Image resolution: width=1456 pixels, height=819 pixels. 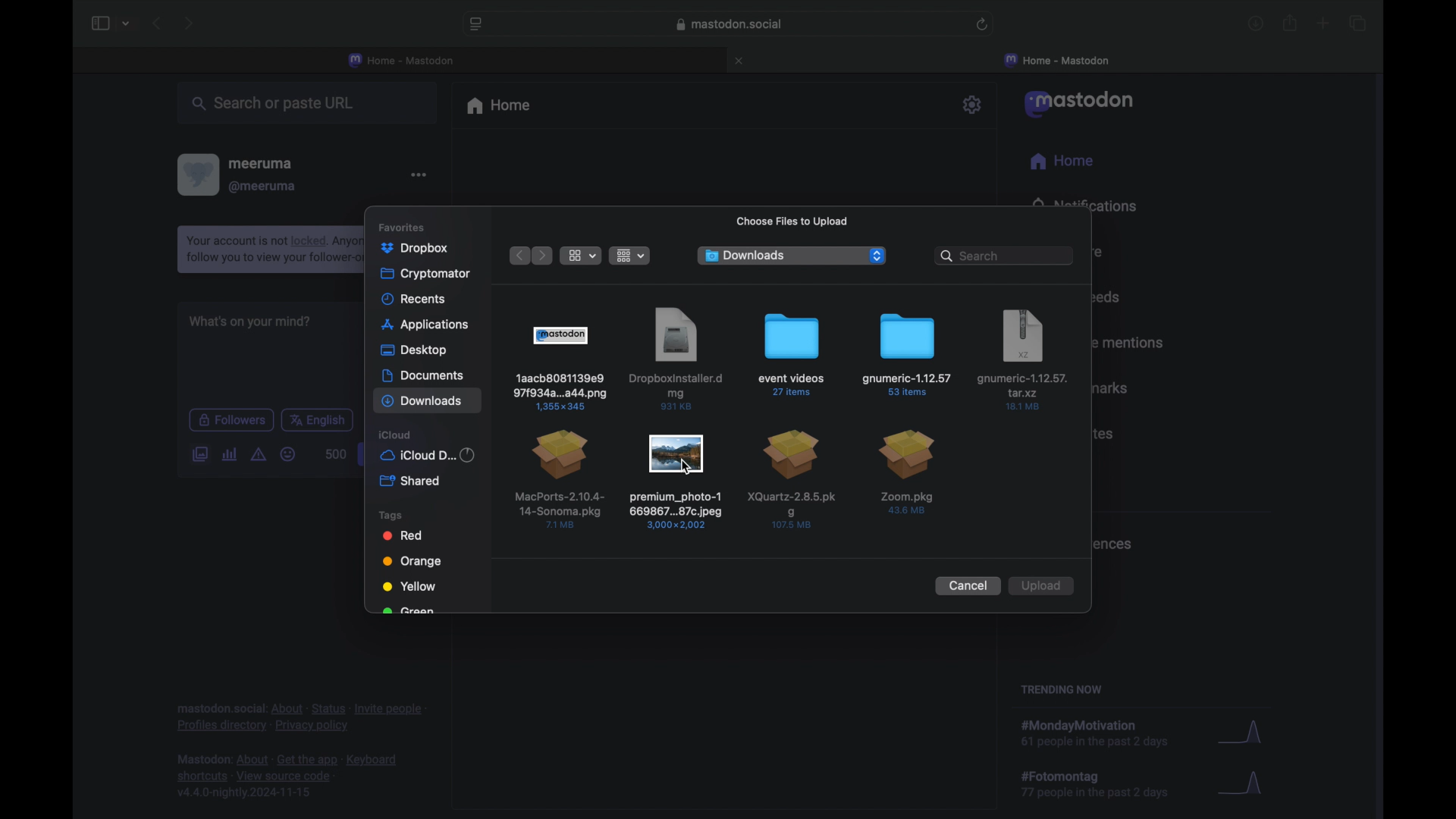 What do you see at coordinates (1106, 730) in the screenshot?
I see `hashtag trend` at bounding box center [1106, 730].